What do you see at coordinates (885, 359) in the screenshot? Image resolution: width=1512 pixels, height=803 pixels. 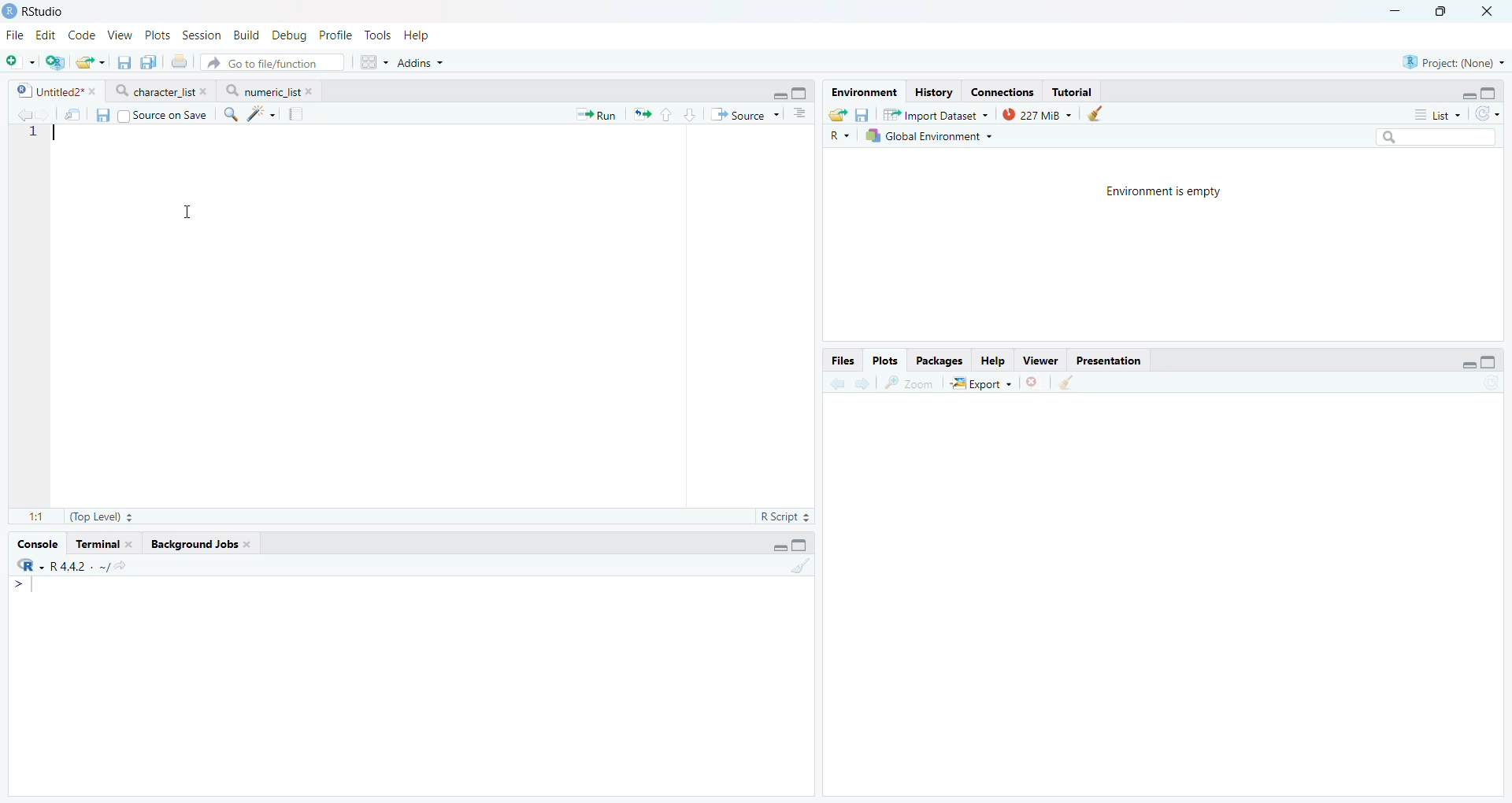 I see `Plots` at bounding box center [885, 359].